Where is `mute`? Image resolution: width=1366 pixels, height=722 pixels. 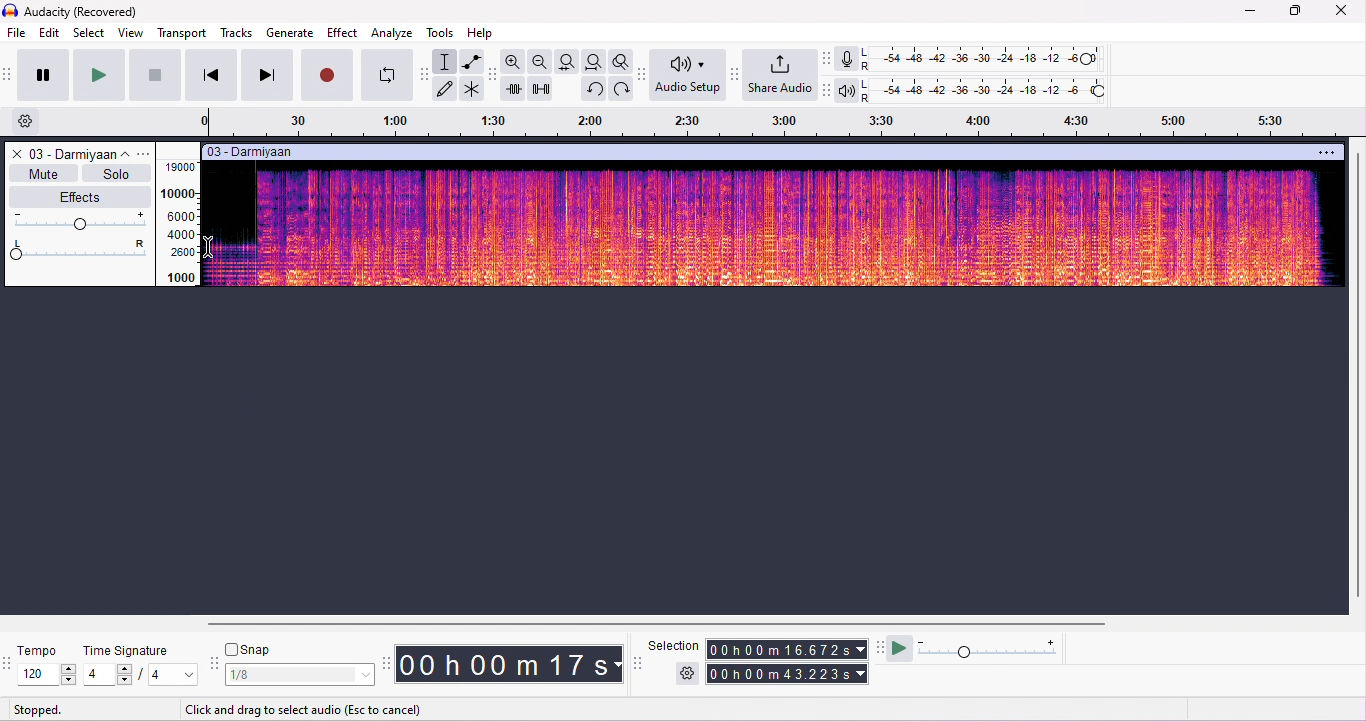
mute is located at coordinates (44, 172).